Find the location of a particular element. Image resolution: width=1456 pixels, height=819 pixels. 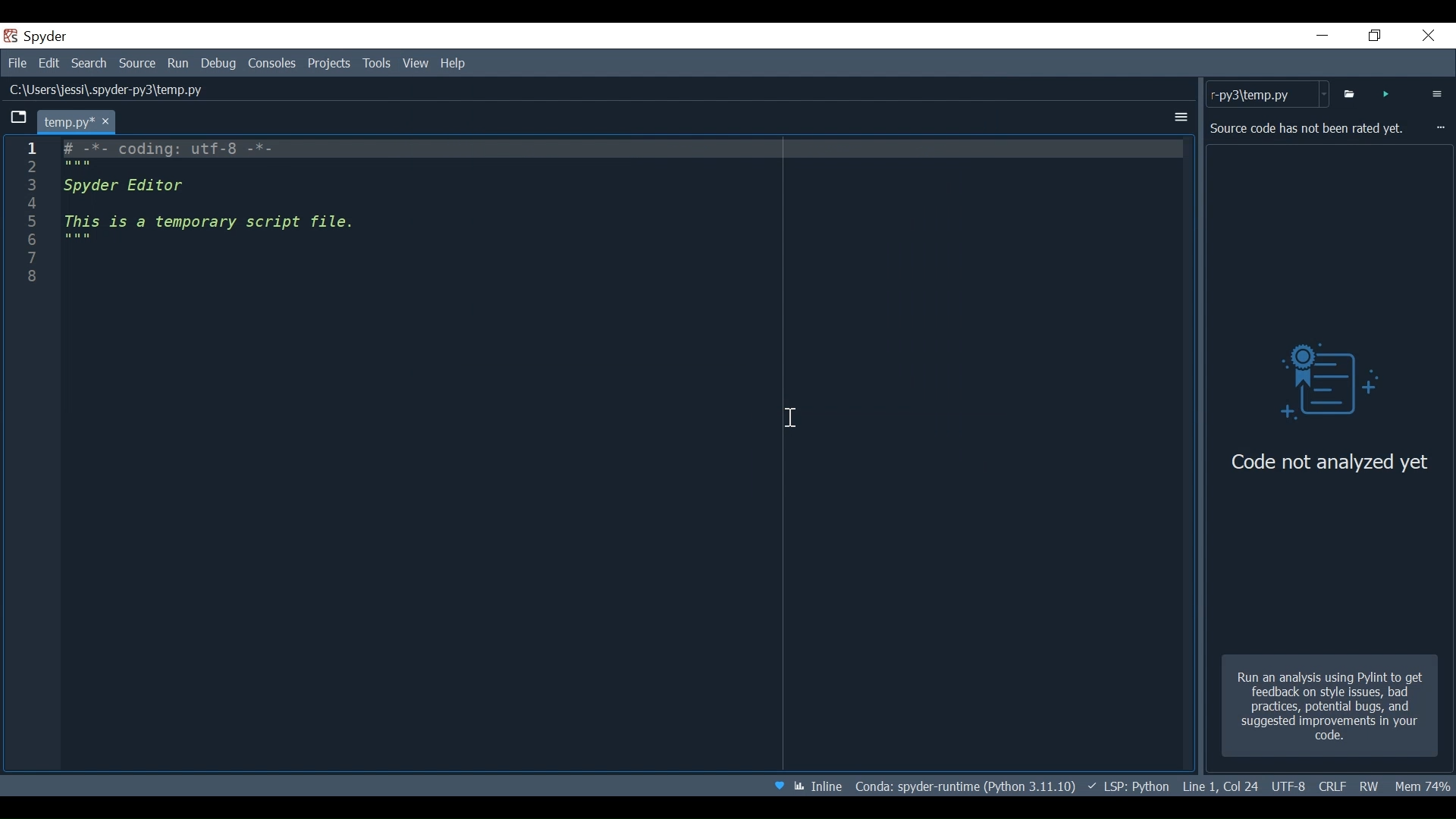

Source is located at coordinates (139, 63).